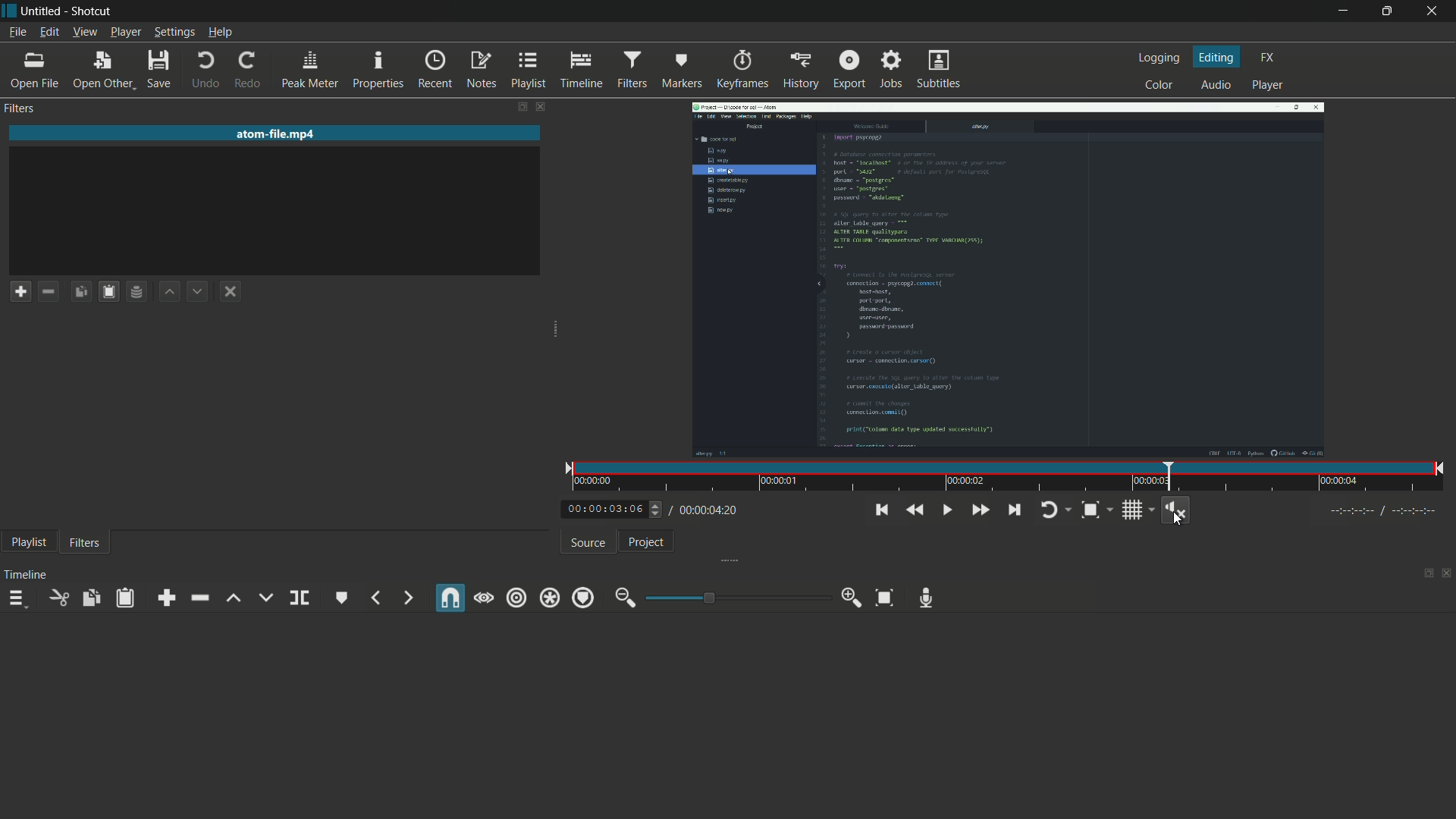  Describe the element at coordinates (1448, 572) in the screenshot. I see `close timeline` at that location.